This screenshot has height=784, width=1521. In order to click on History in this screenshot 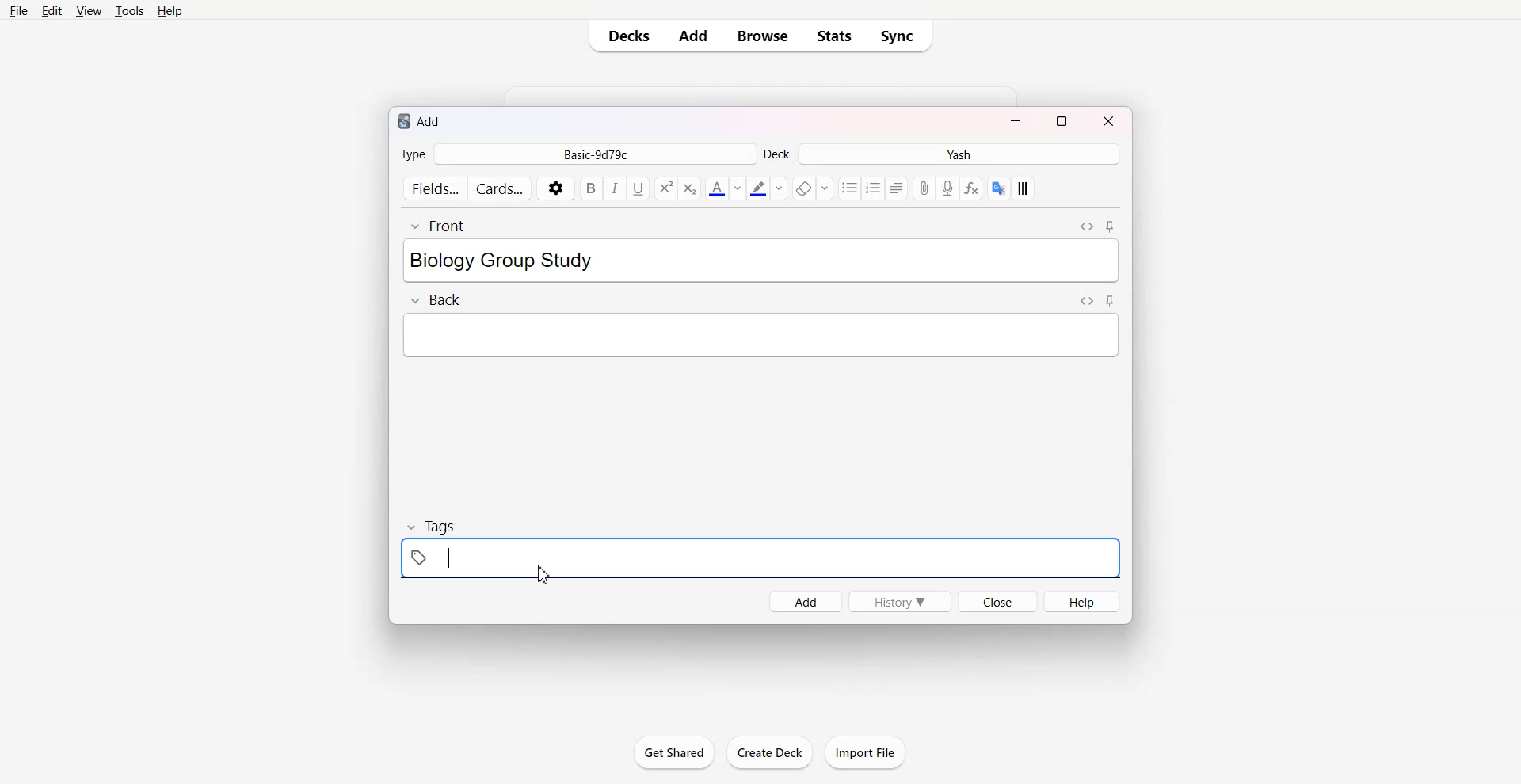, I will do `click(901, 601)`.